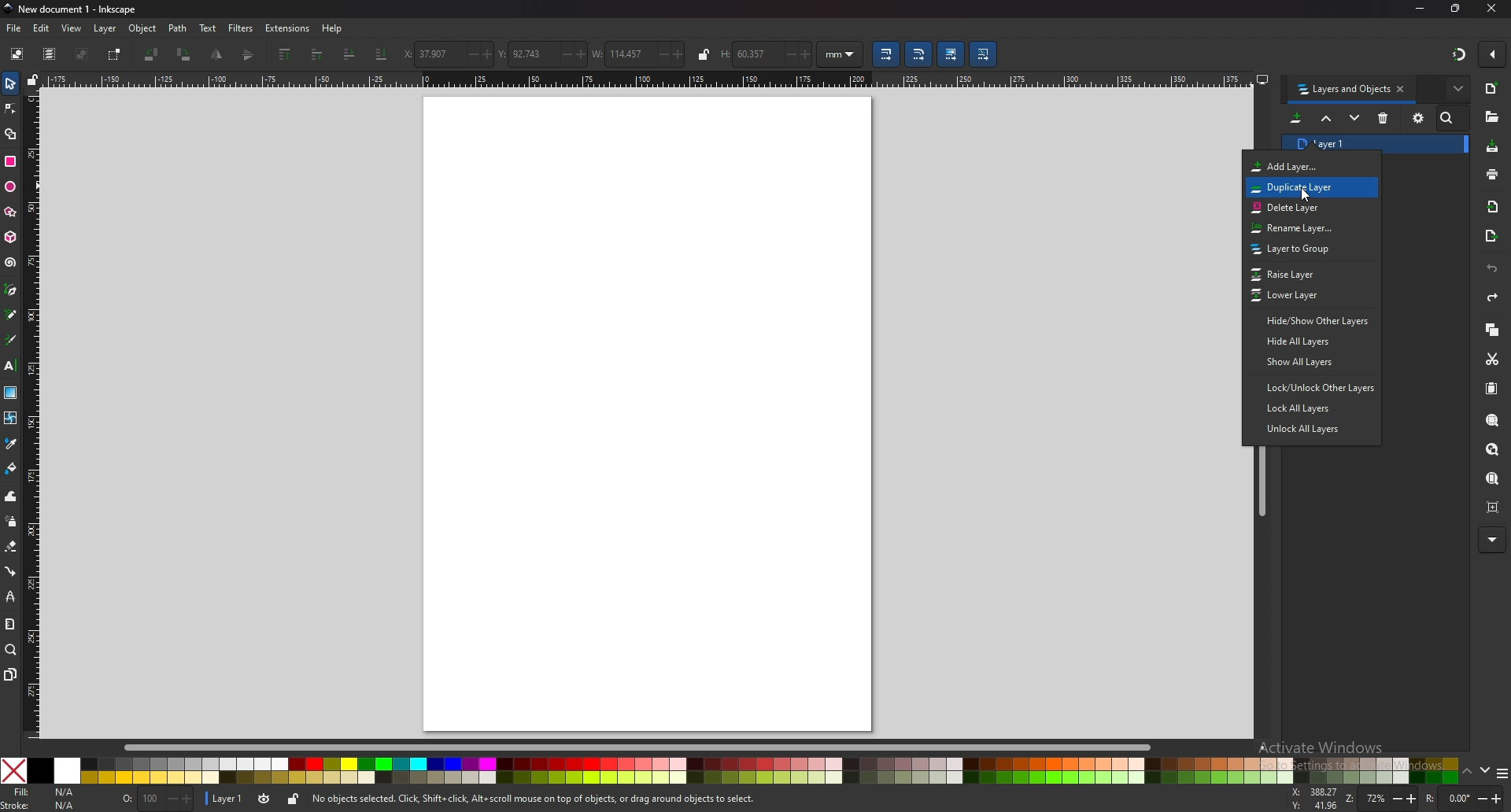  I want to click on delete layer, so click(1296, 208).